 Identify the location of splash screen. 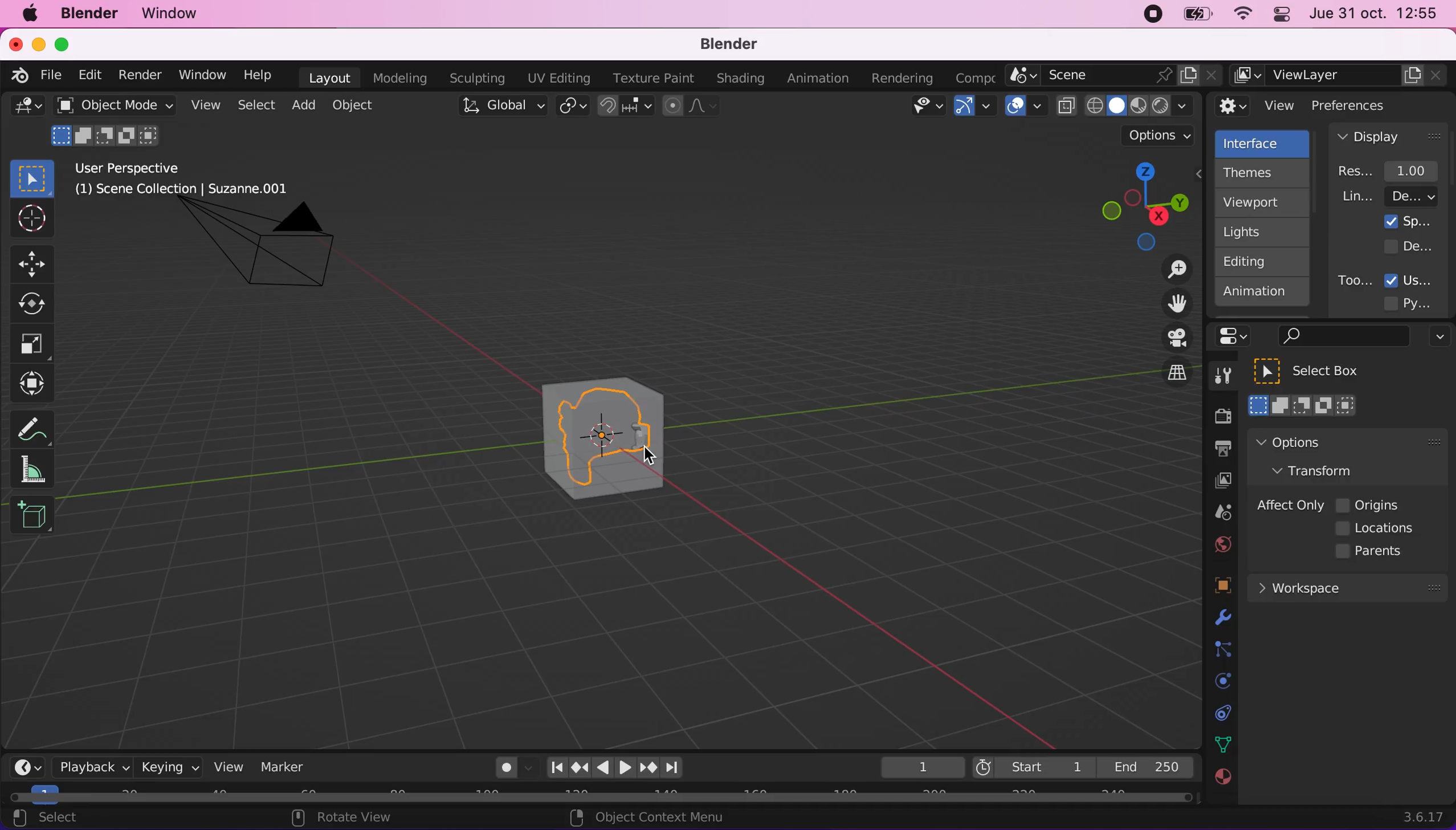
(1408, 221).